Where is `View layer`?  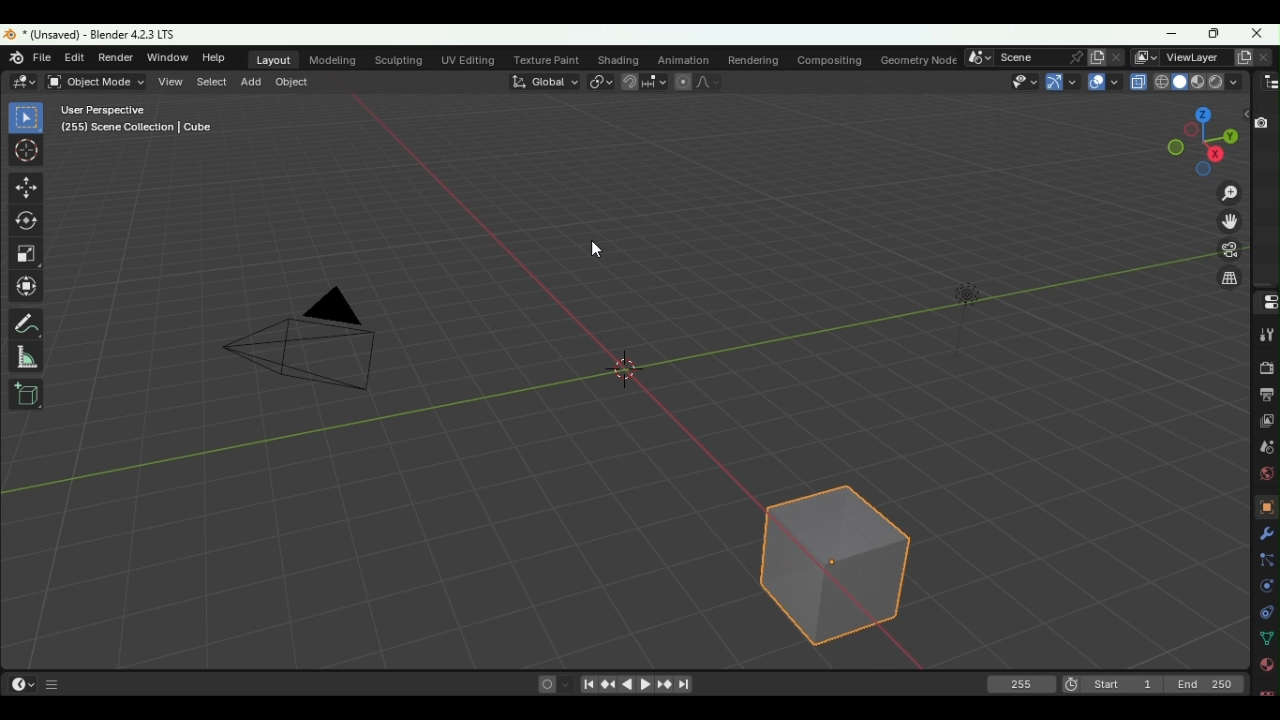 View layer is located at coordinates (1266, 423).